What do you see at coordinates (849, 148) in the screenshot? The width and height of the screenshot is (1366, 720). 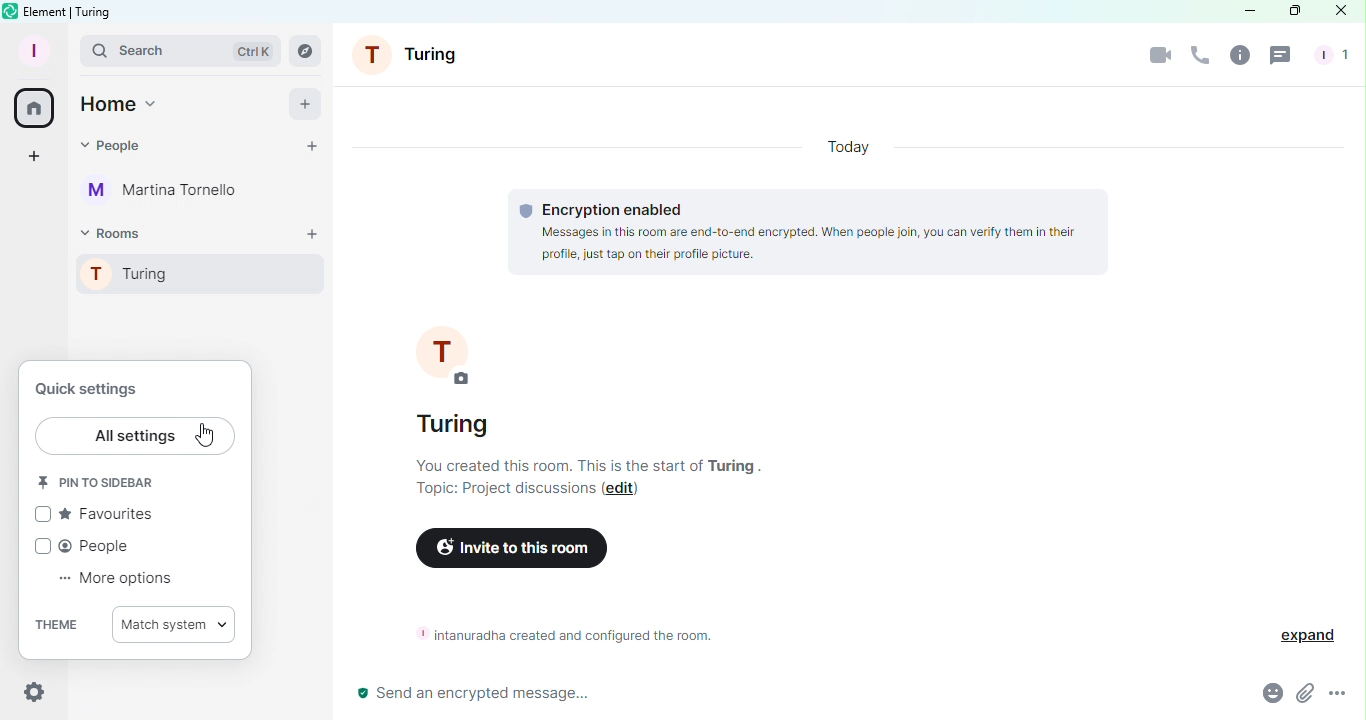 I see `Today` at bounding box center [849, 148].